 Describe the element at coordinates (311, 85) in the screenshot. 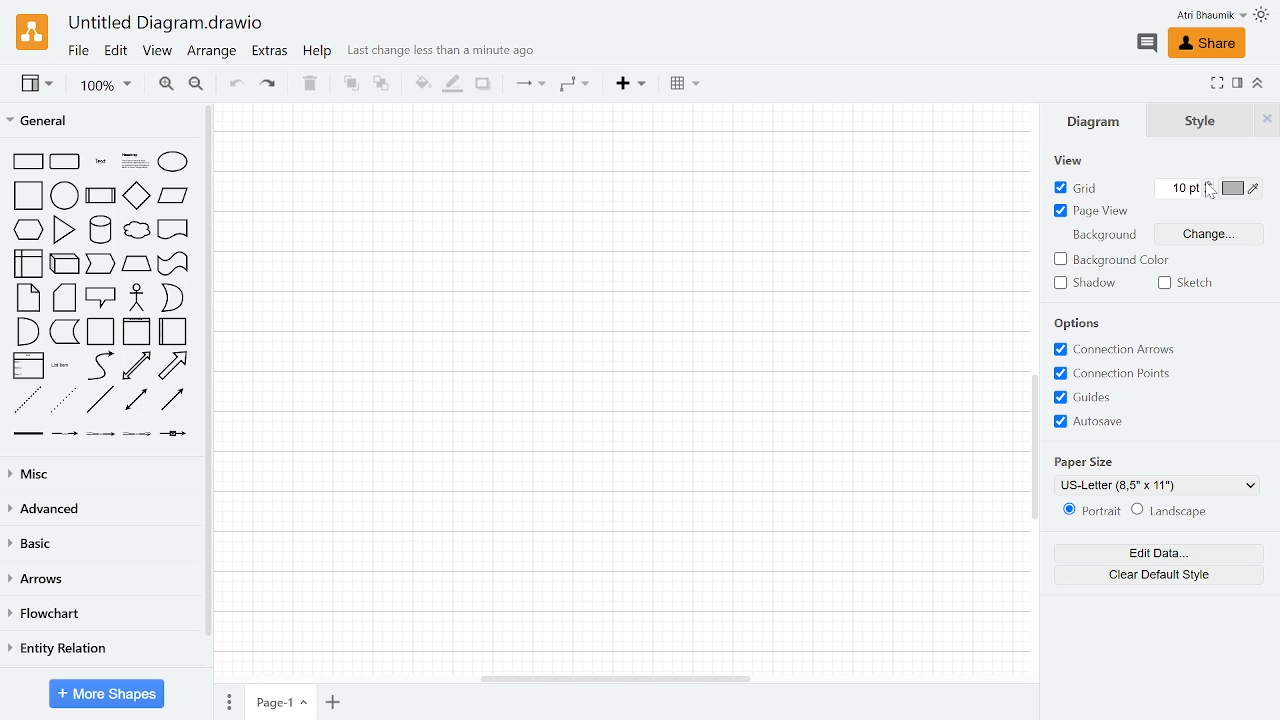

I see `Delete` at that location.